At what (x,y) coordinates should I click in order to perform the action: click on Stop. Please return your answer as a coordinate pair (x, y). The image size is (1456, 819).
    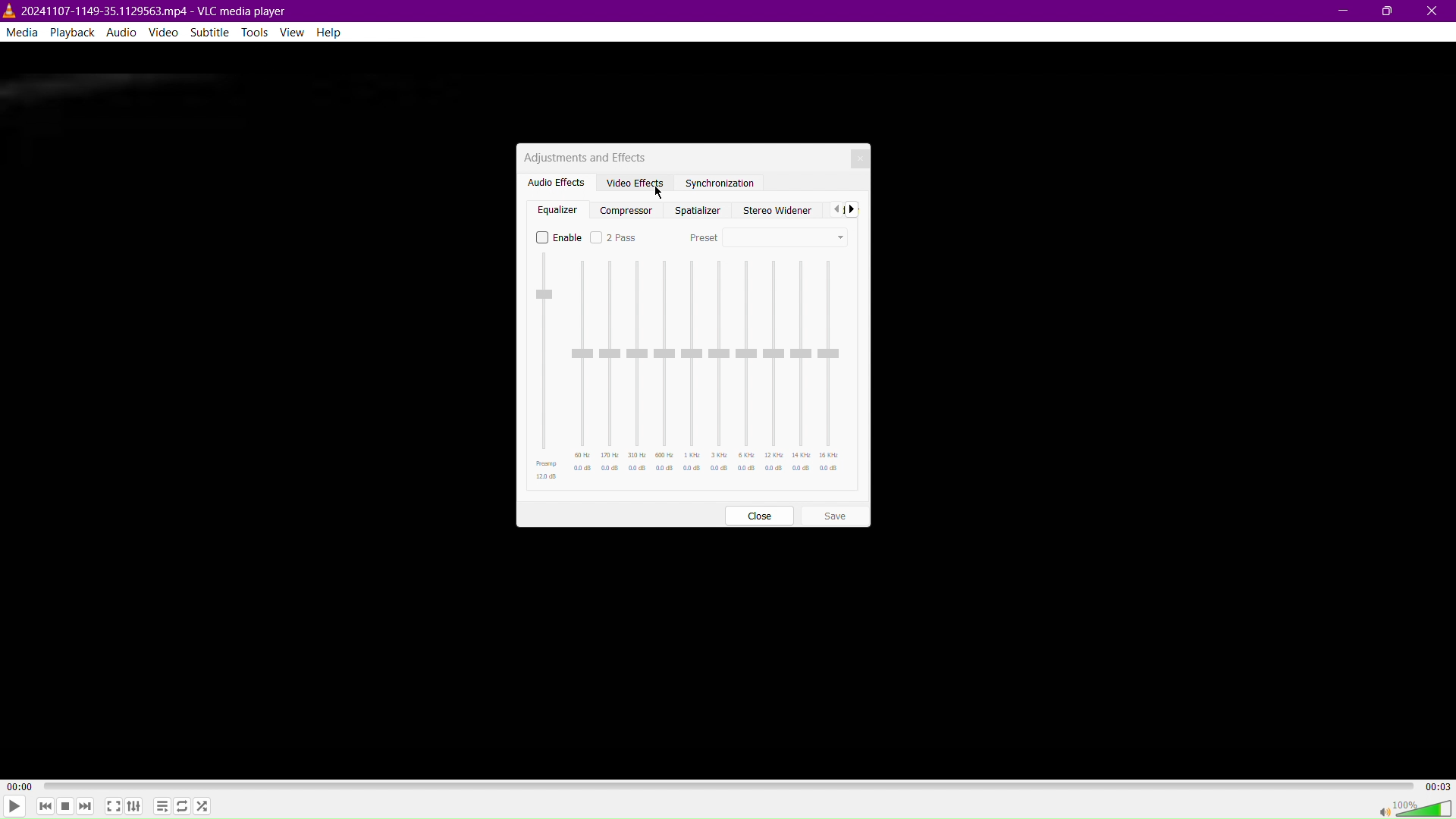
    Looking at the image, I should click on (64, 808).